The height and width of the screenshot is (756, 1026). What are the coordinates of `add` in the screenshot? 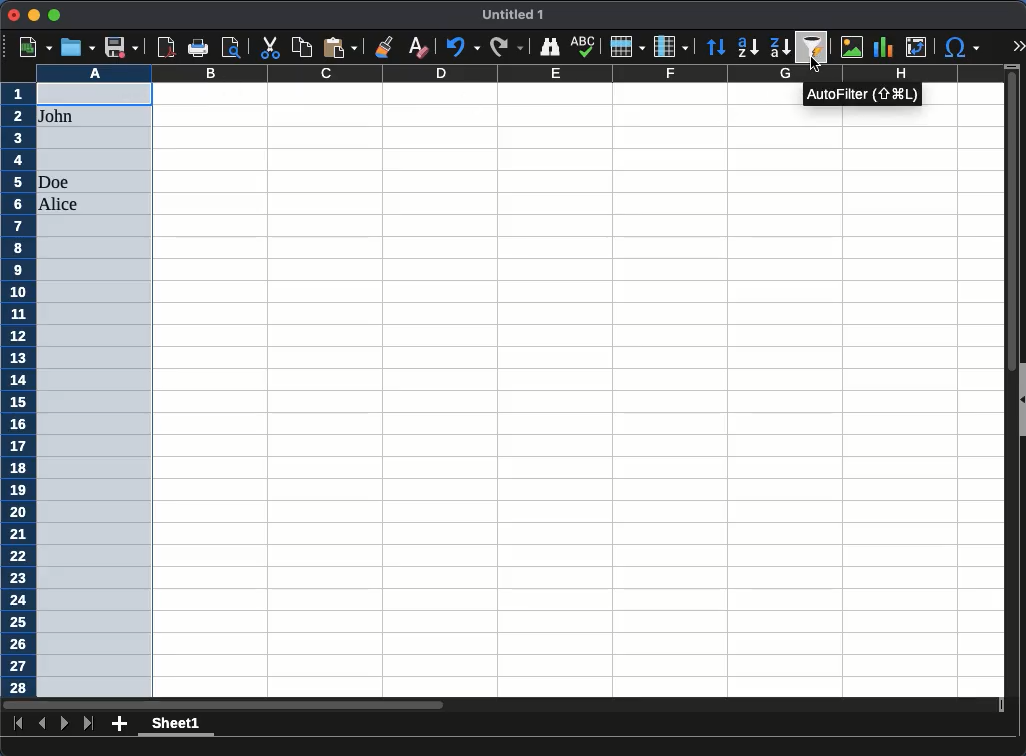 It's located at (120, 723).